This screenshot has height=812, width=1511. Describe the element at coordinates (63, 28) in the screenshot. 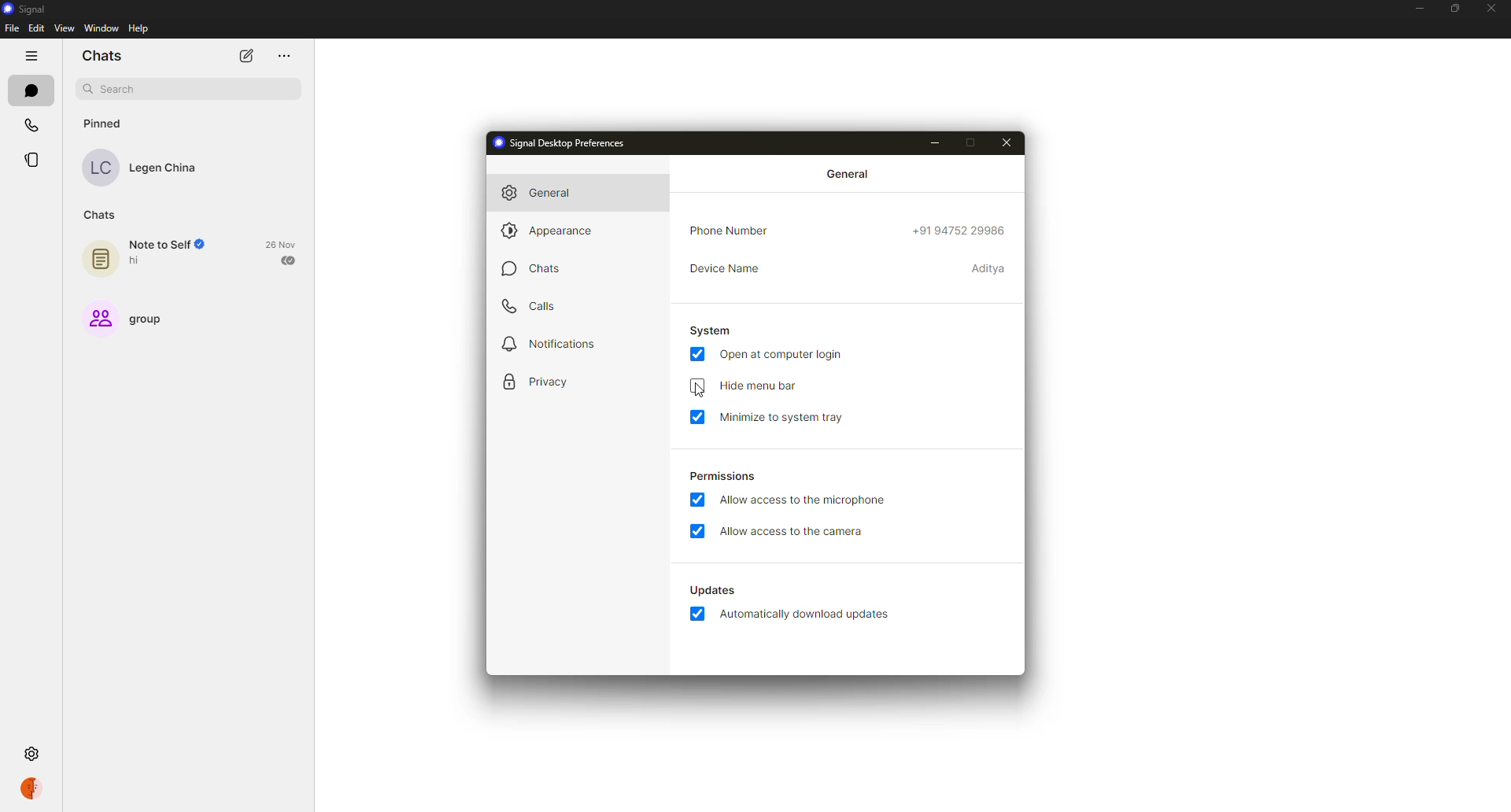

I see `view` at that location.